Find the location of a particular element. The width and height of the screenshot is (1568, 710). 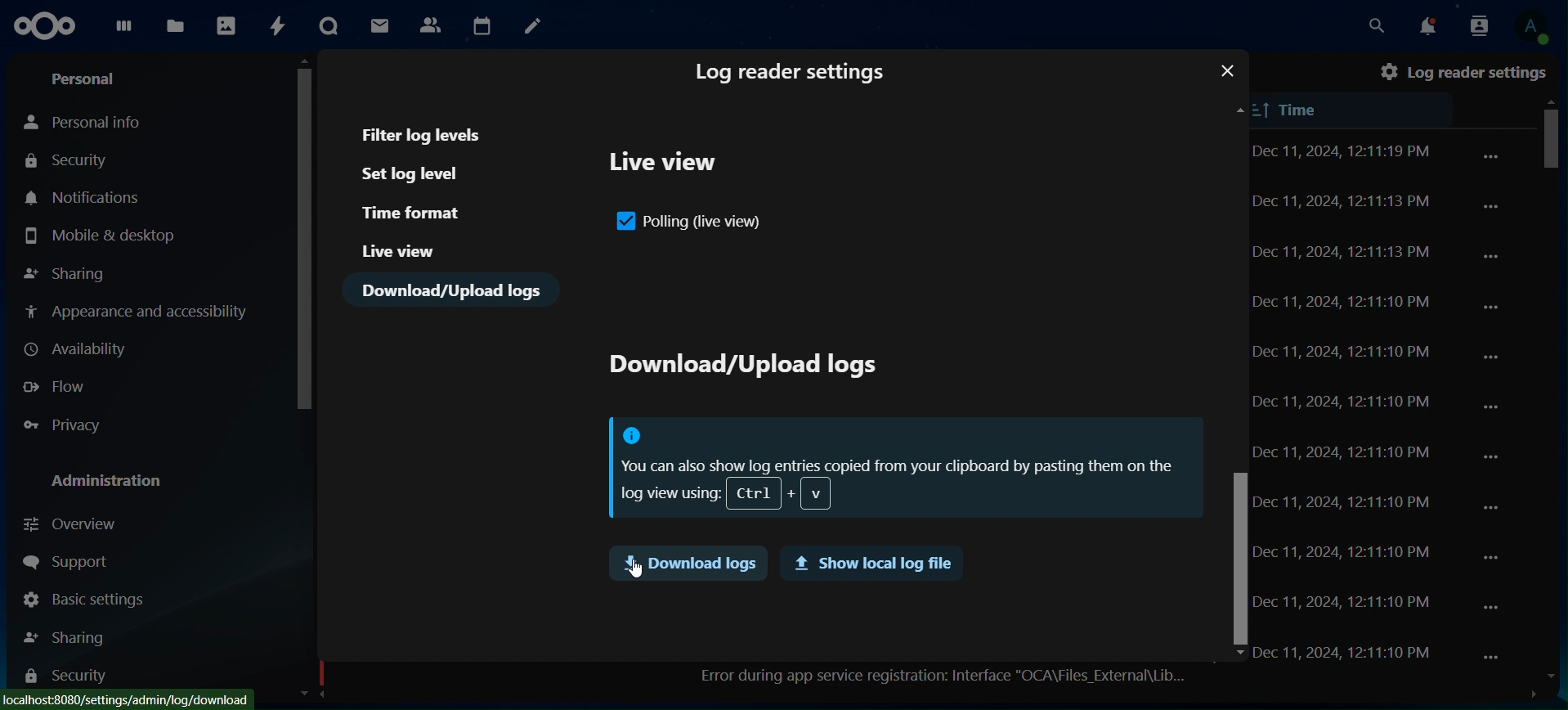

text is located at coordinates (741, 368).